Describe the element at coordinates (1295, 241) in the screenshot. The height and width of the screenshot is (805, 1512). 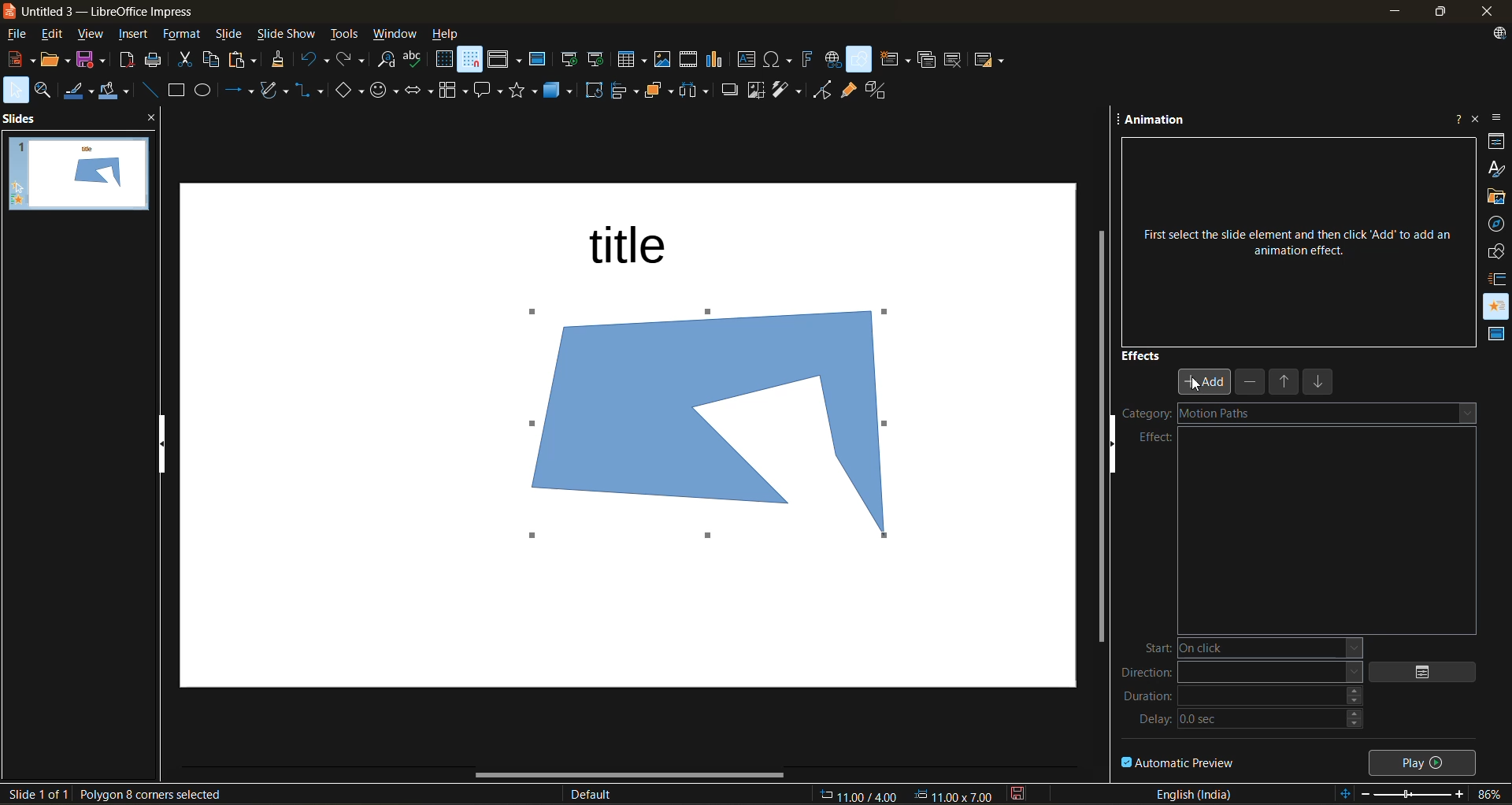
I see `First select the slide element and then click ‘Add’ to add an
animation effect.` at that location.